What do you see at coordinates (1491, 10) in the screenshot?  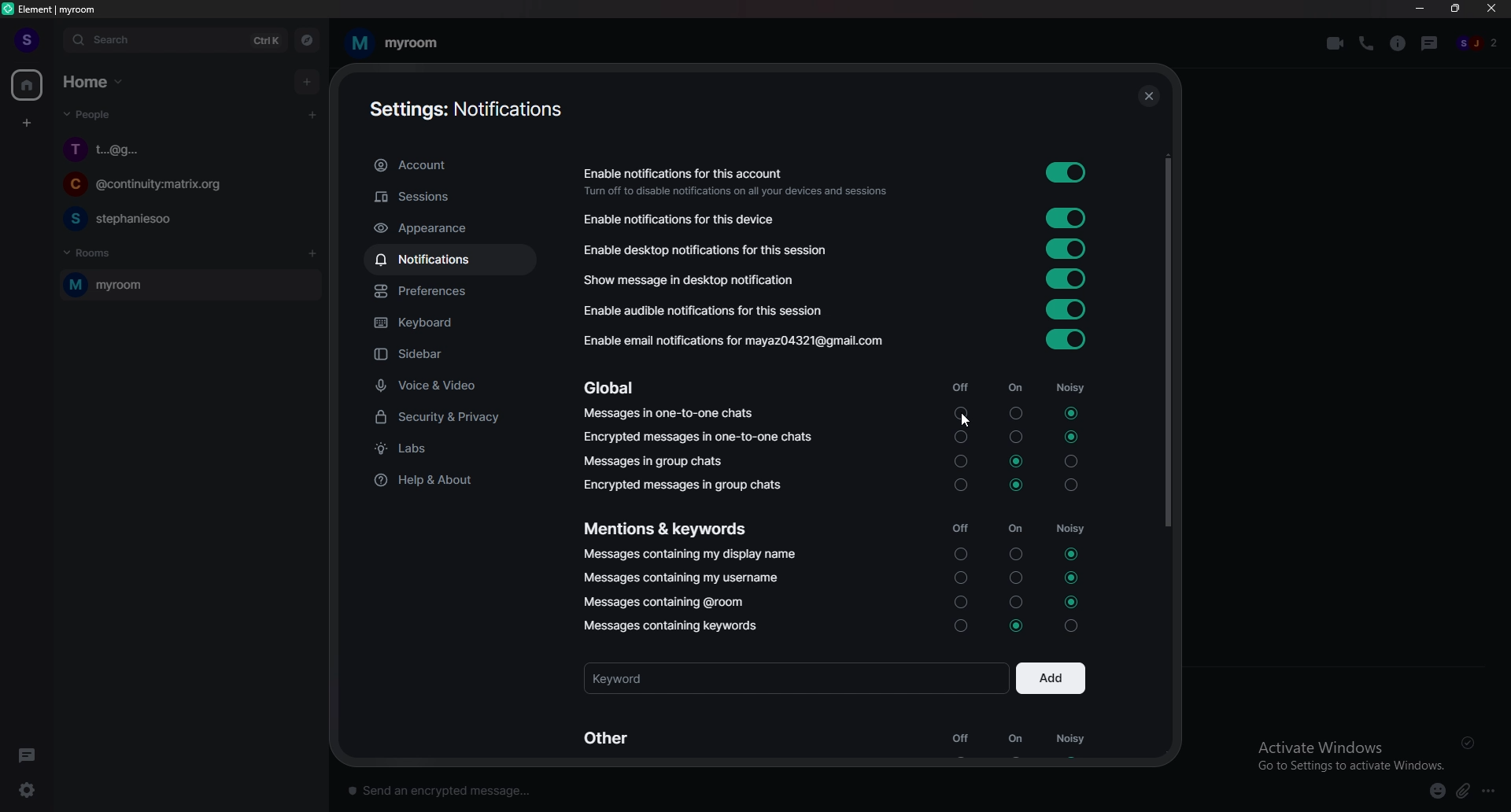 I see `close` at bounding box center [1491, 10].